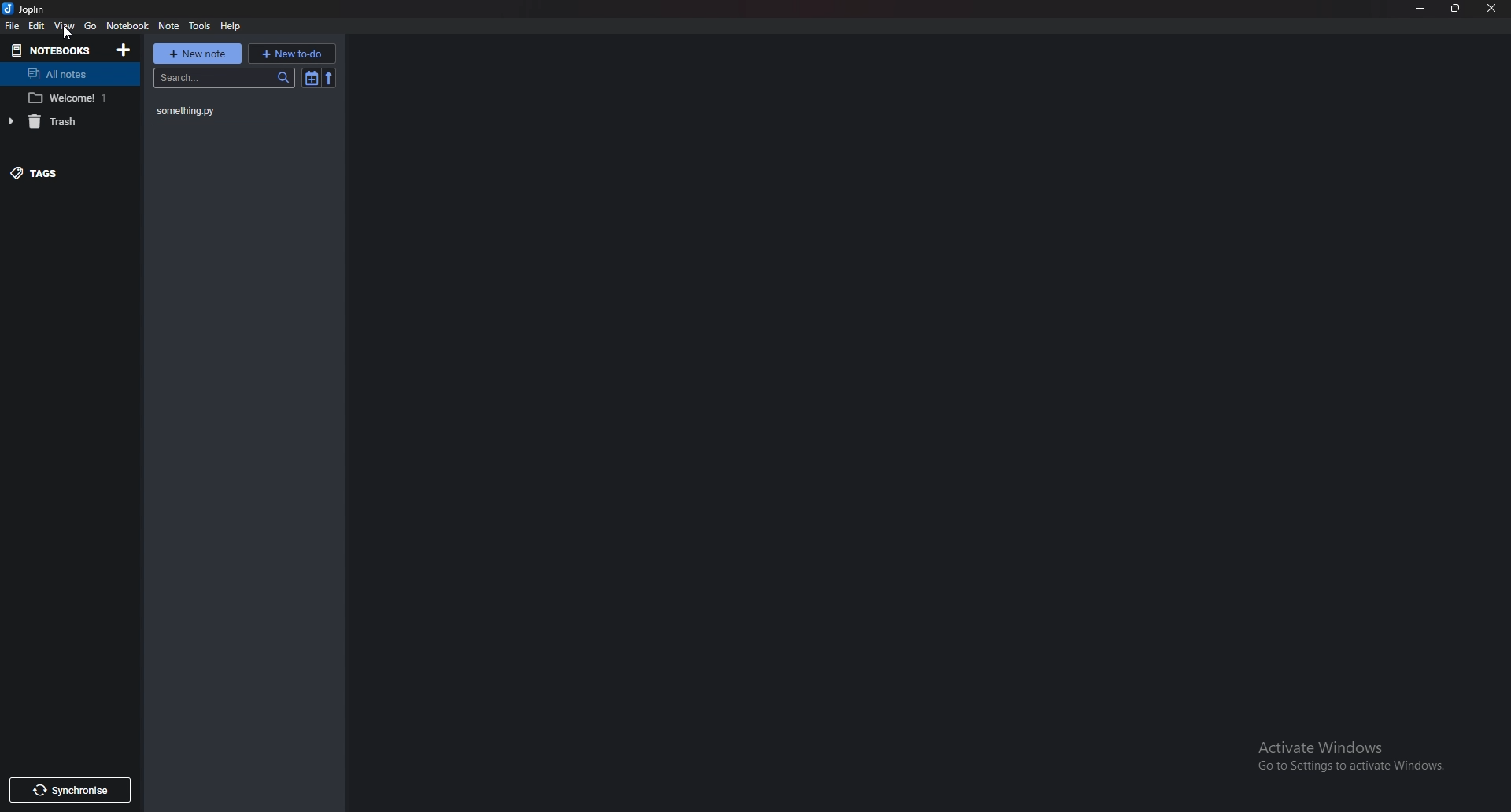 This screenshot has height=812, width=1511. Describe the element at coordinates (13, 28) in the screenshot. I see `File` at that location.